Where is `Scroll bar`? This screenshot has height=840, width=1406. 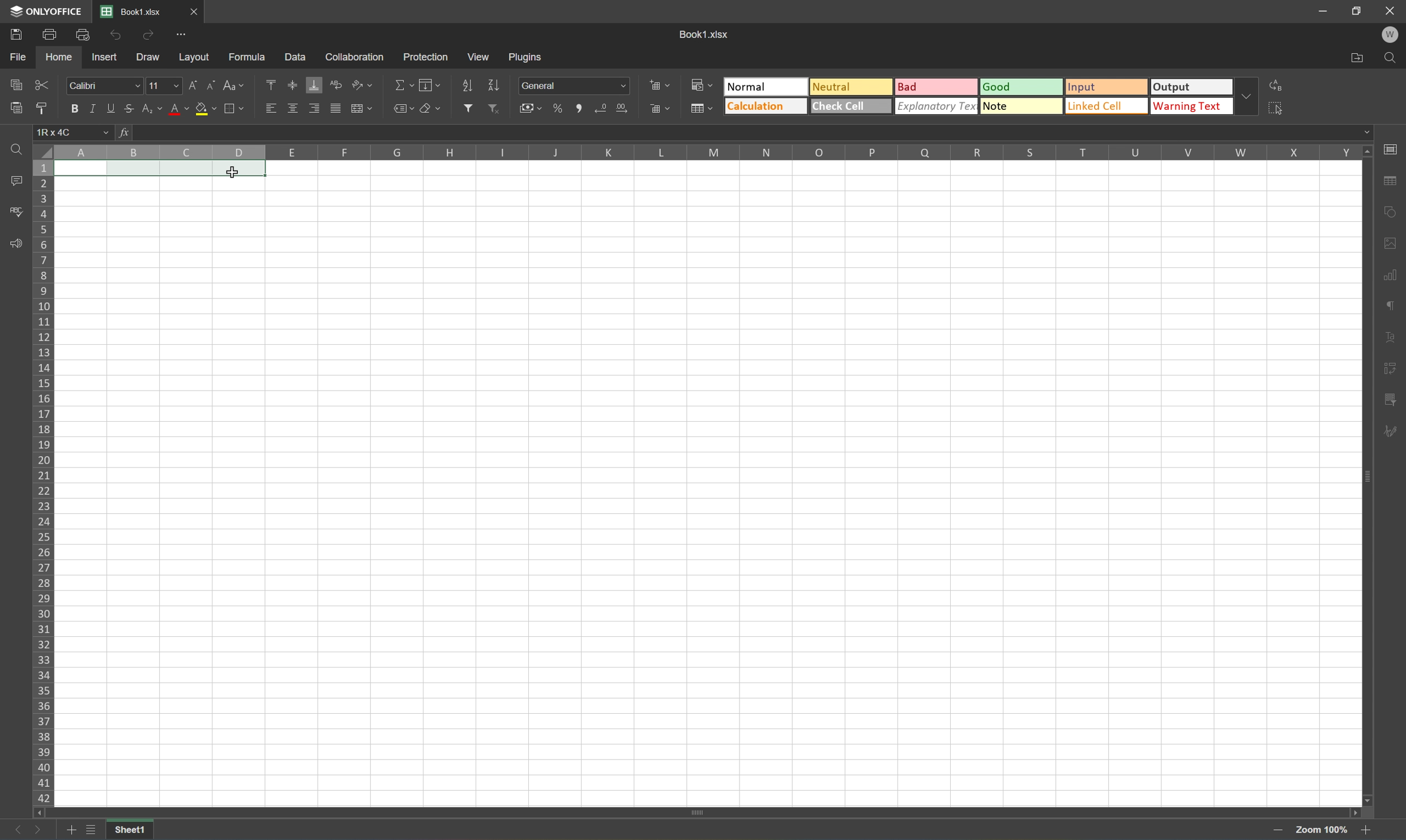
Scroll bar is located at coordinates (695, 811).